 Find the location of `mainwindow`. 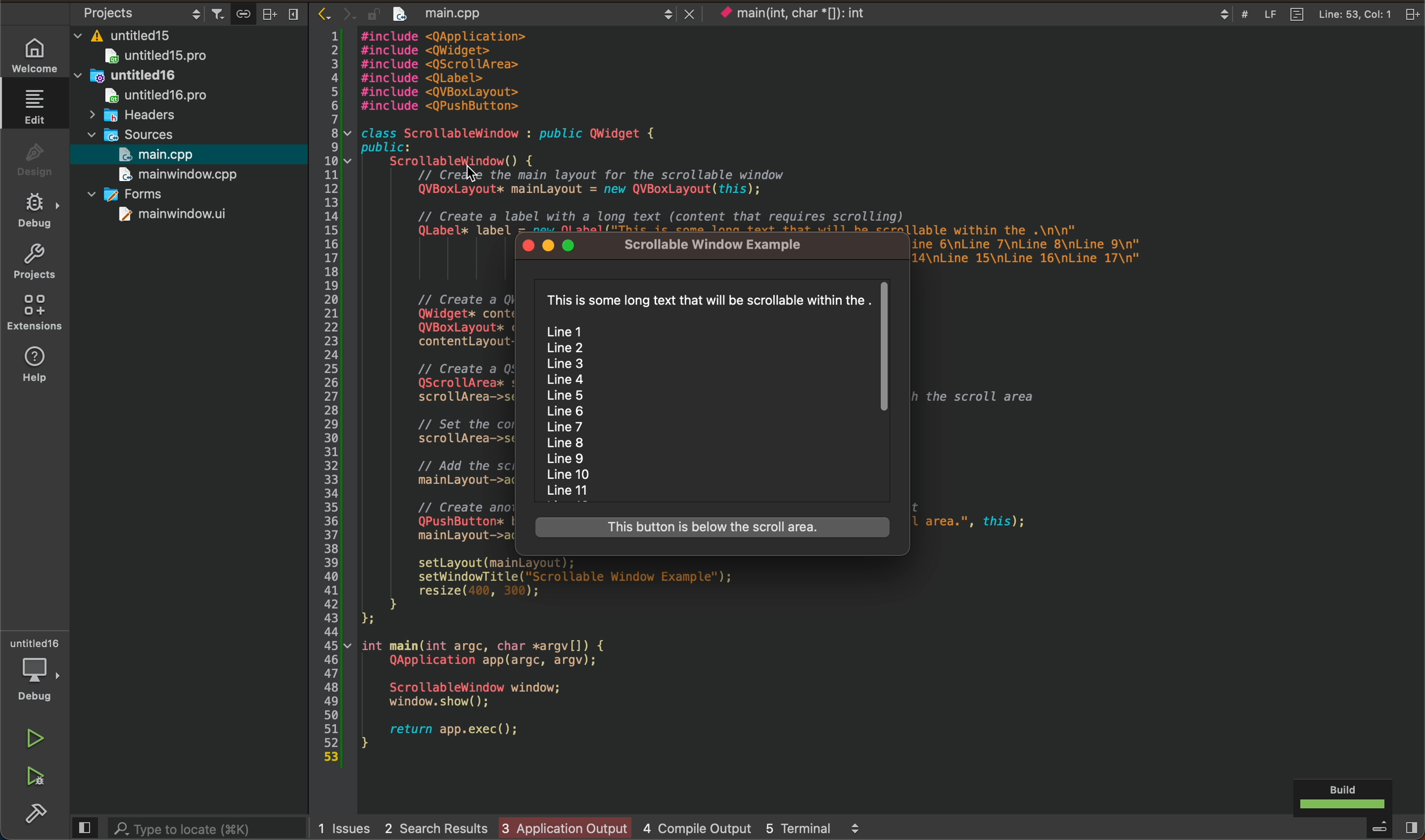

mainwindow is located at coordinates (173, 215).